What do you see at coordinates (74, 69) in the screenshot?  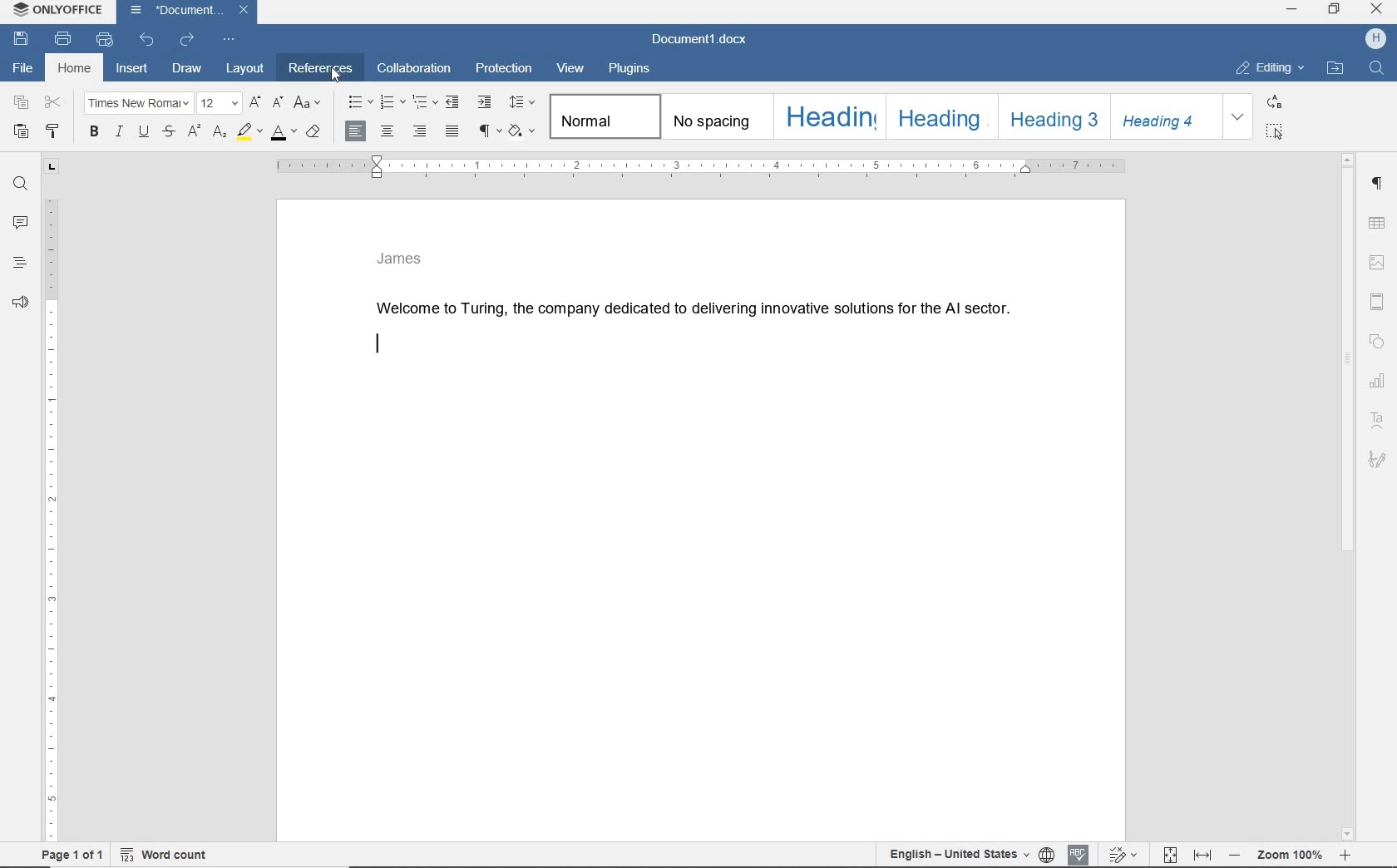 I see `home` at bounding box center [74, 69].